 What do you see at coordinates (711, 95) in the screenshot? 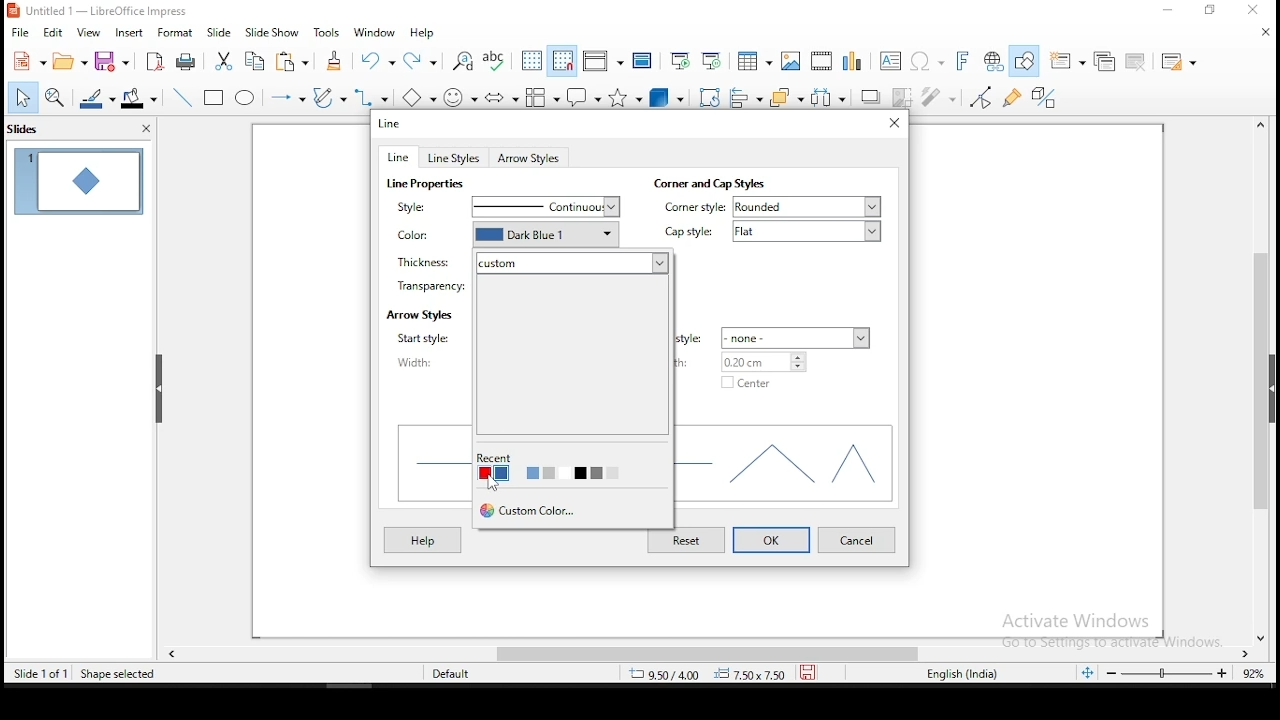
I see `rotate` at bounding box center [711, 95].